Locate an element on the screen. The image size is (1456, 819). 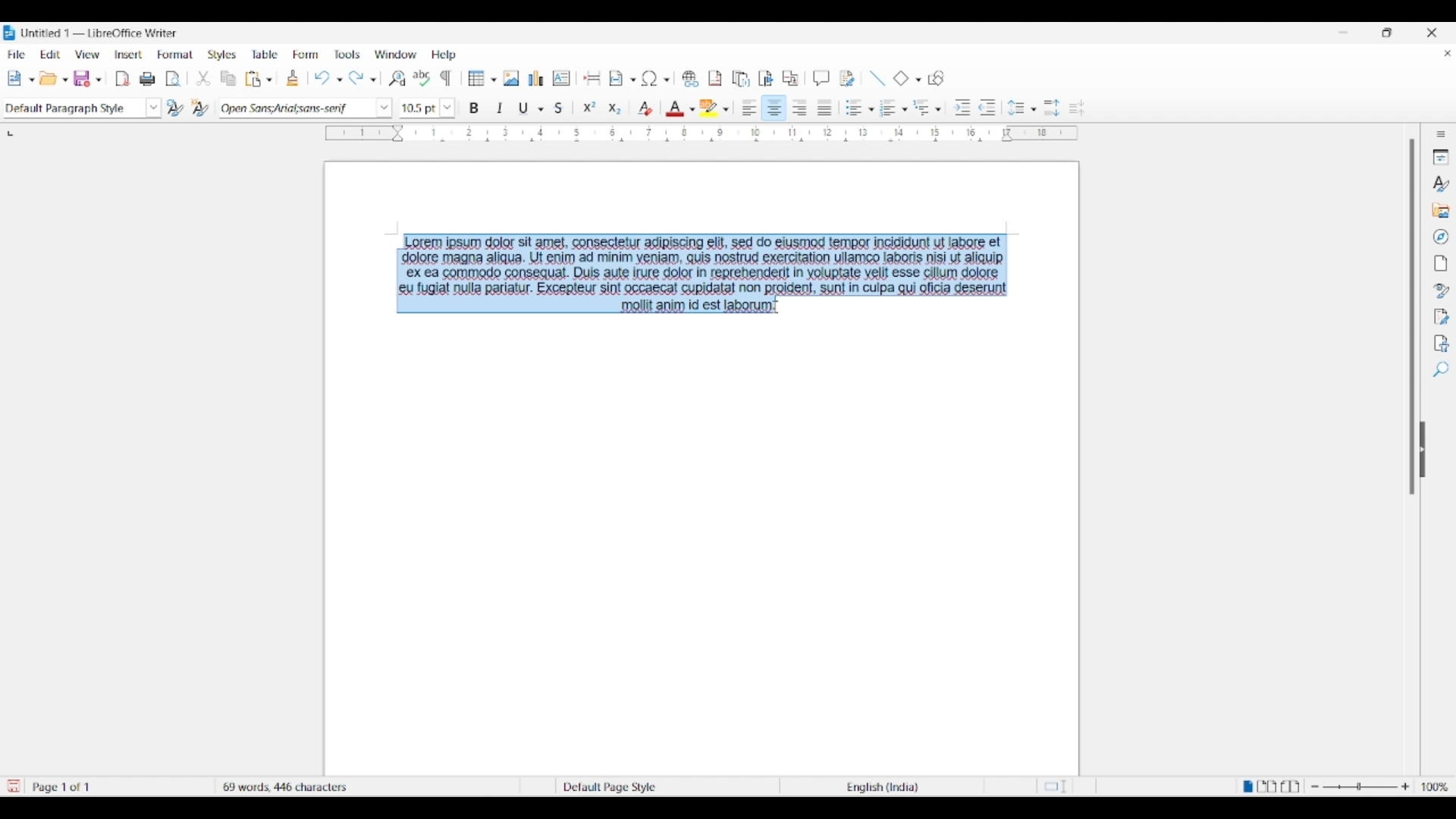
Selected new document option is located at coordinates (17, 77).